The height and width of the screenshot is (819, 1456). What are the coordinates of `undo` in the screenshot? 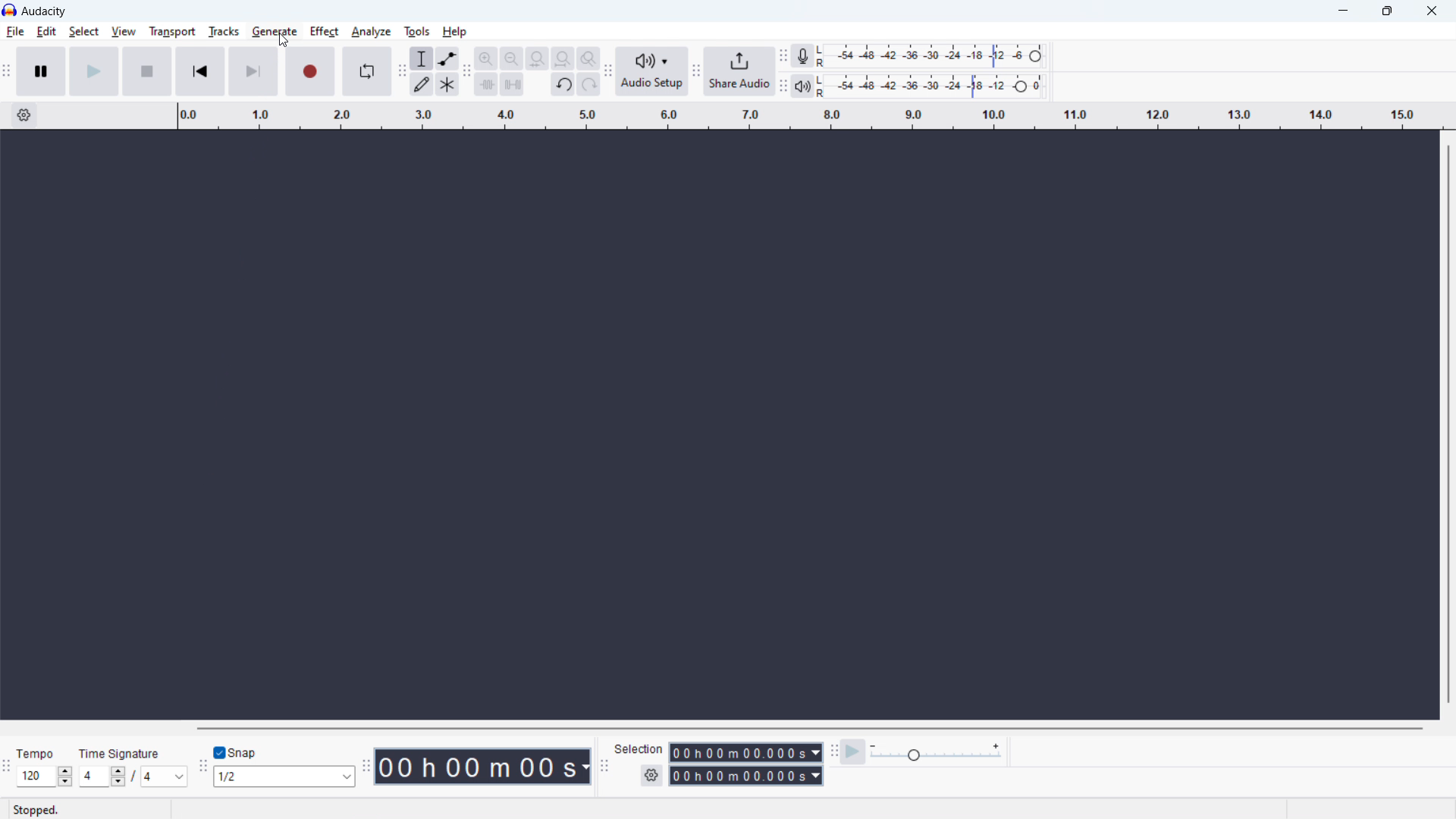 It's located at (563, 84).